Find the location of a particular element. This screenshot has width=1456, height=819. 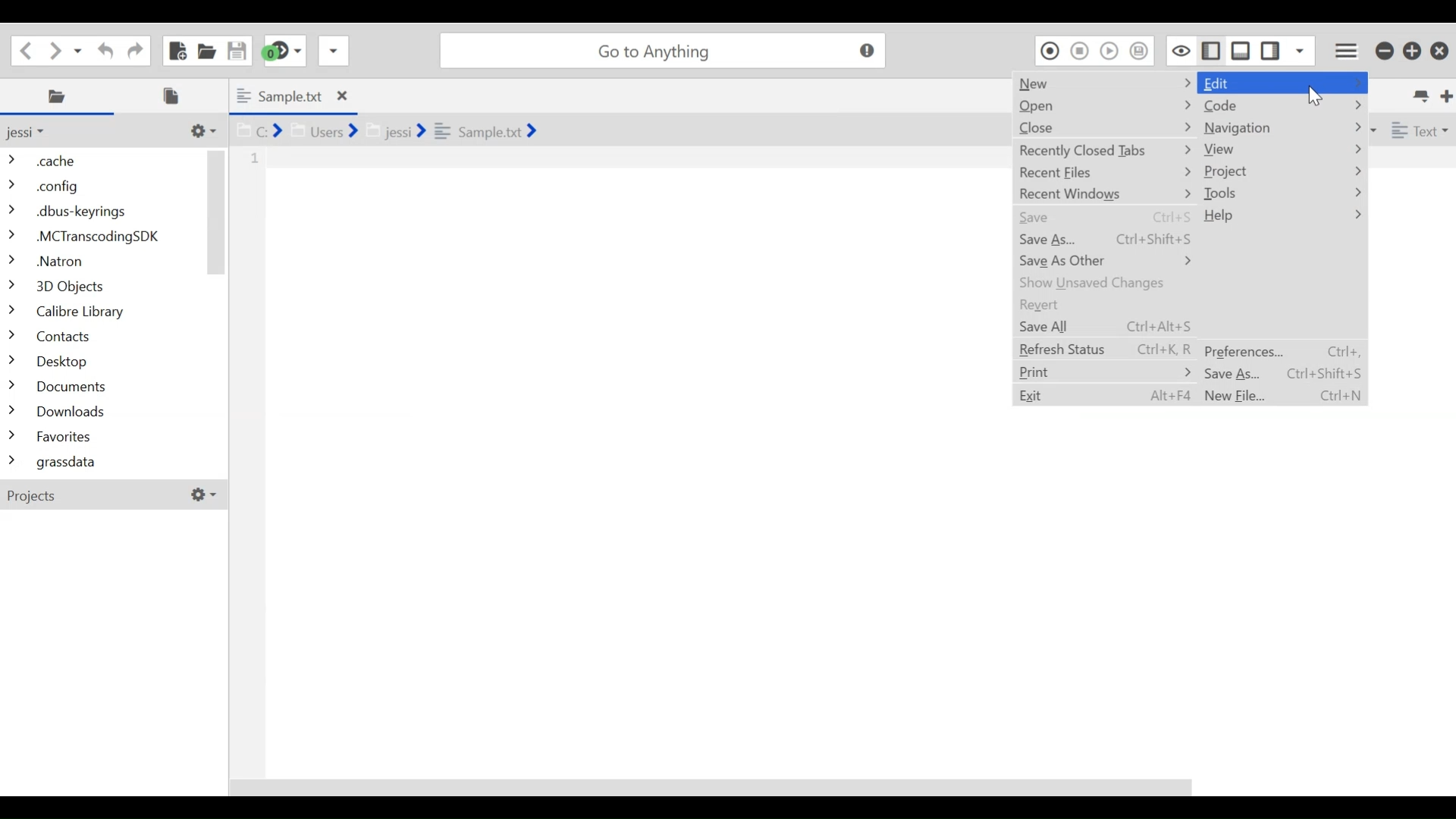

Close is located at coordinates (1103, 127).